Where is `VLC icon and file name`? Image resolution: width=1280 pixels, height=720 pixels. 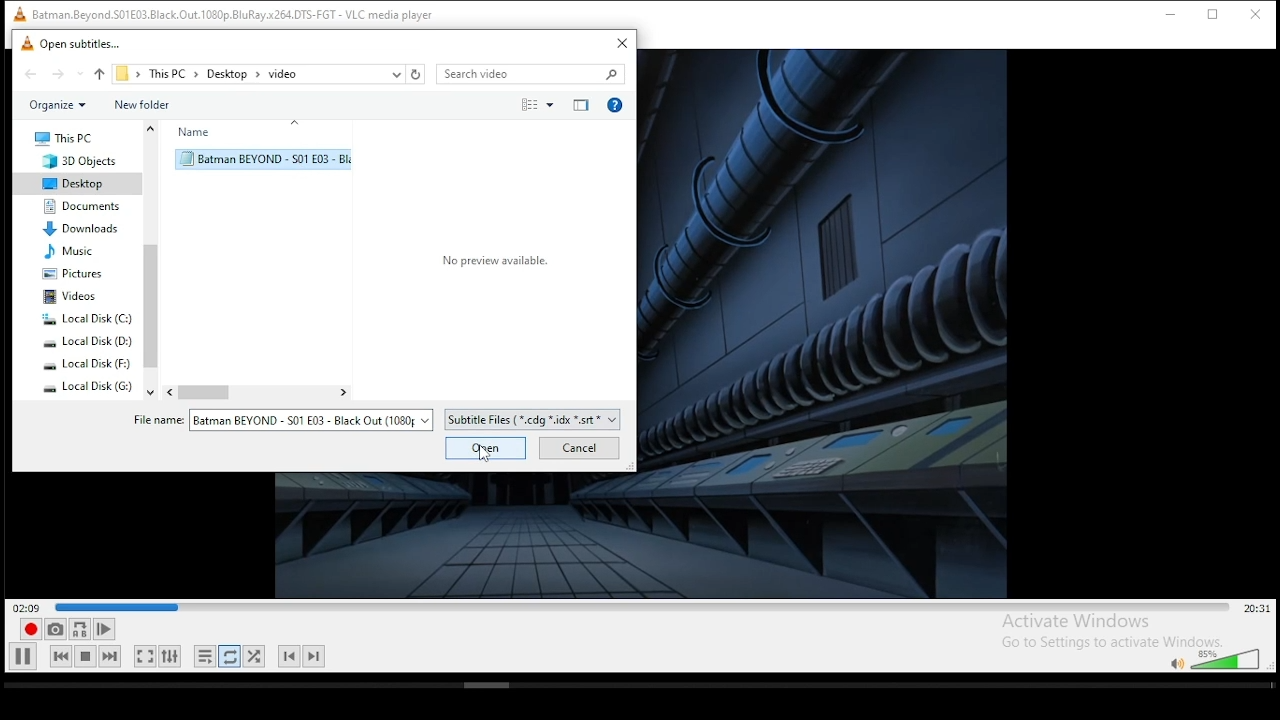 VLC icon and file name is located at coordinates (218, 14).